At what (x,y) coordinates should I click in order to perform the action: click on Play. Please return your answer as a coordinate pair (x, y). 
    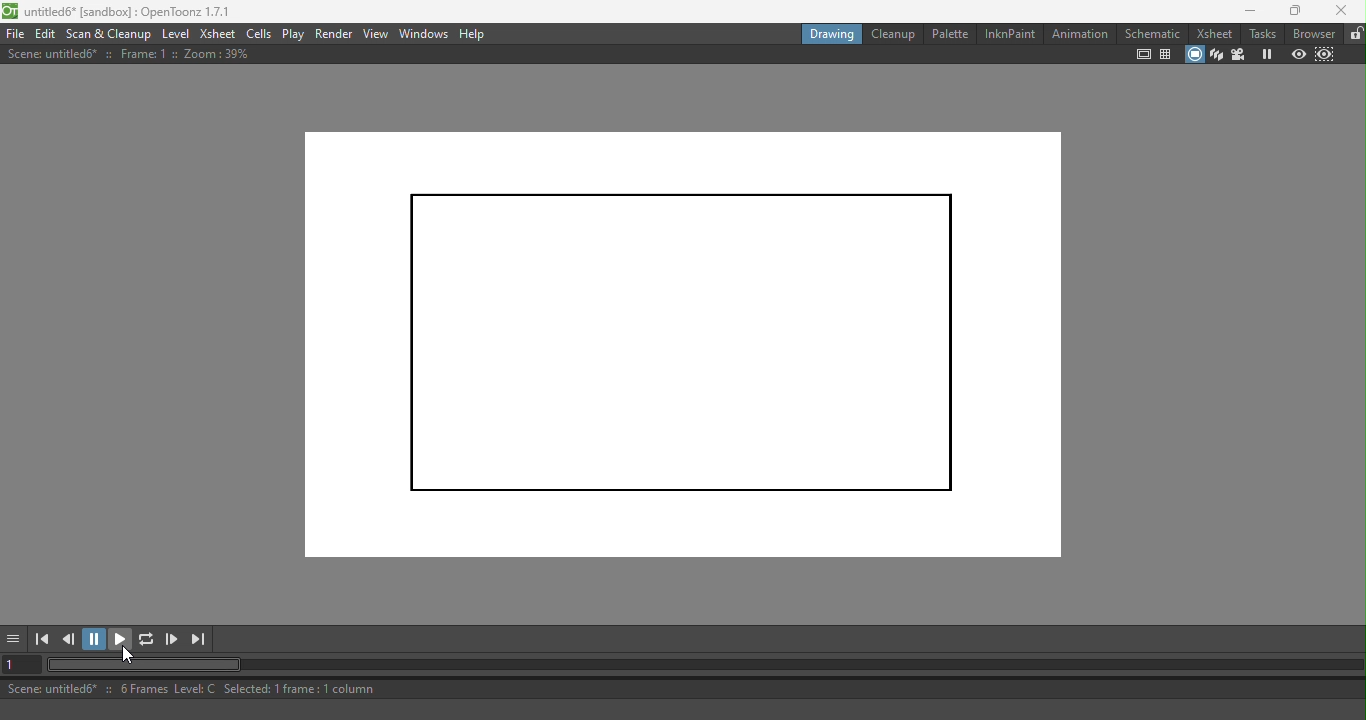
    Looking at the image, I should click on (293, 33).